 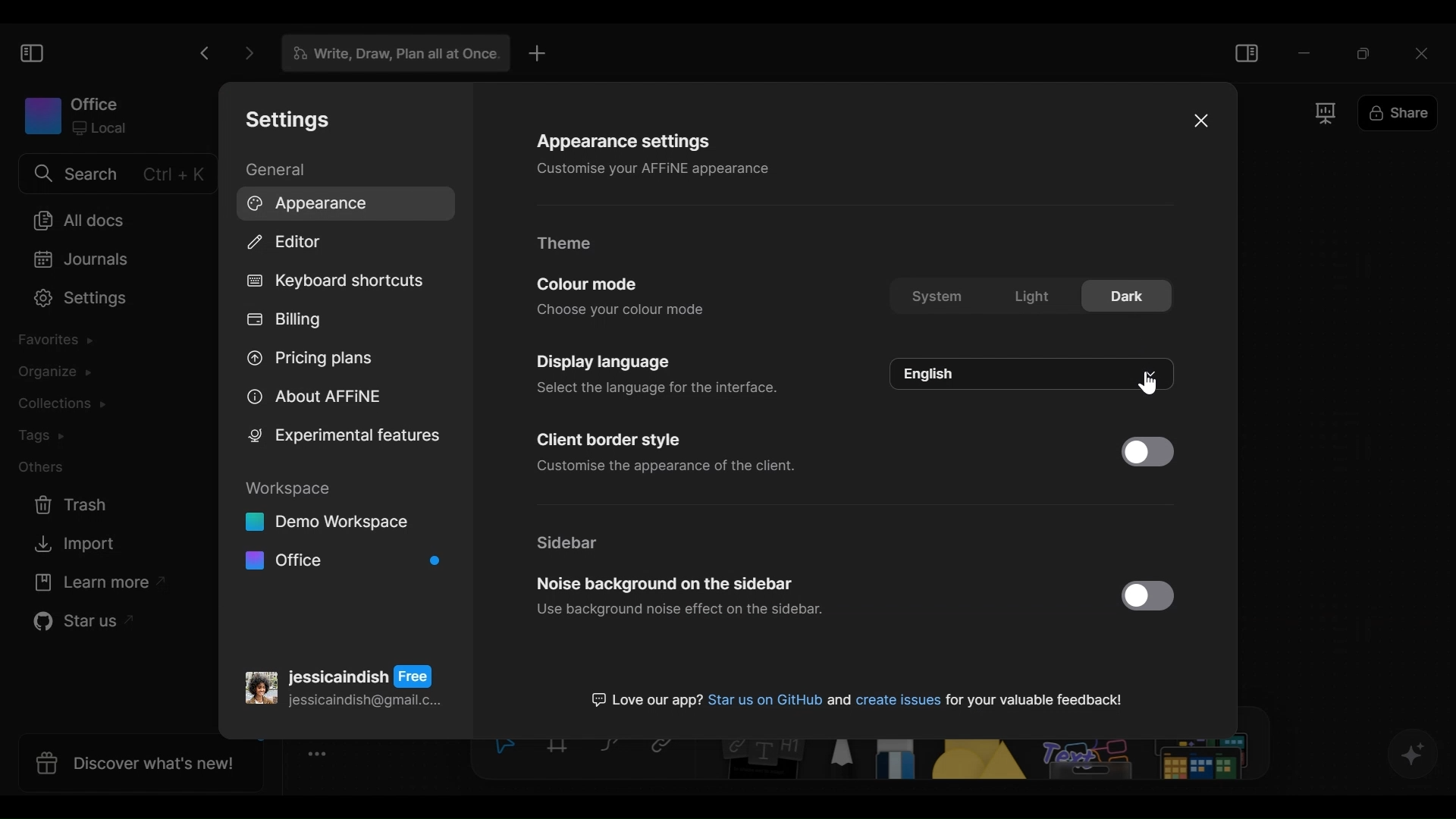 I want to click on Click to go forward, so click(x=244, y=53).